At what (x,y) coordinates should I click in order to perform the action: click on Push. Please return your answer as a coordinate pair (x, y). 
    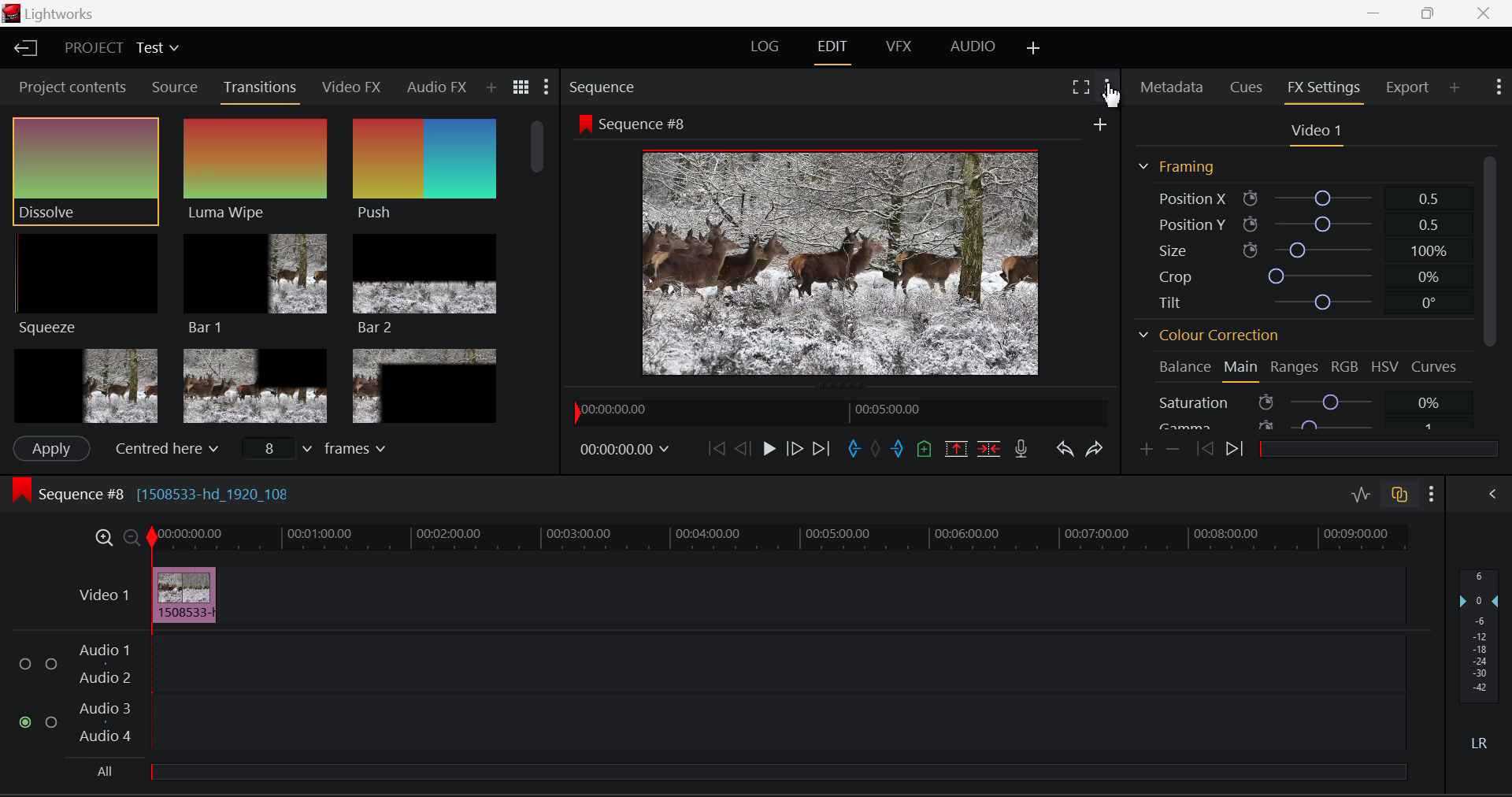
    Looking at the image, I should click on (422, 170).